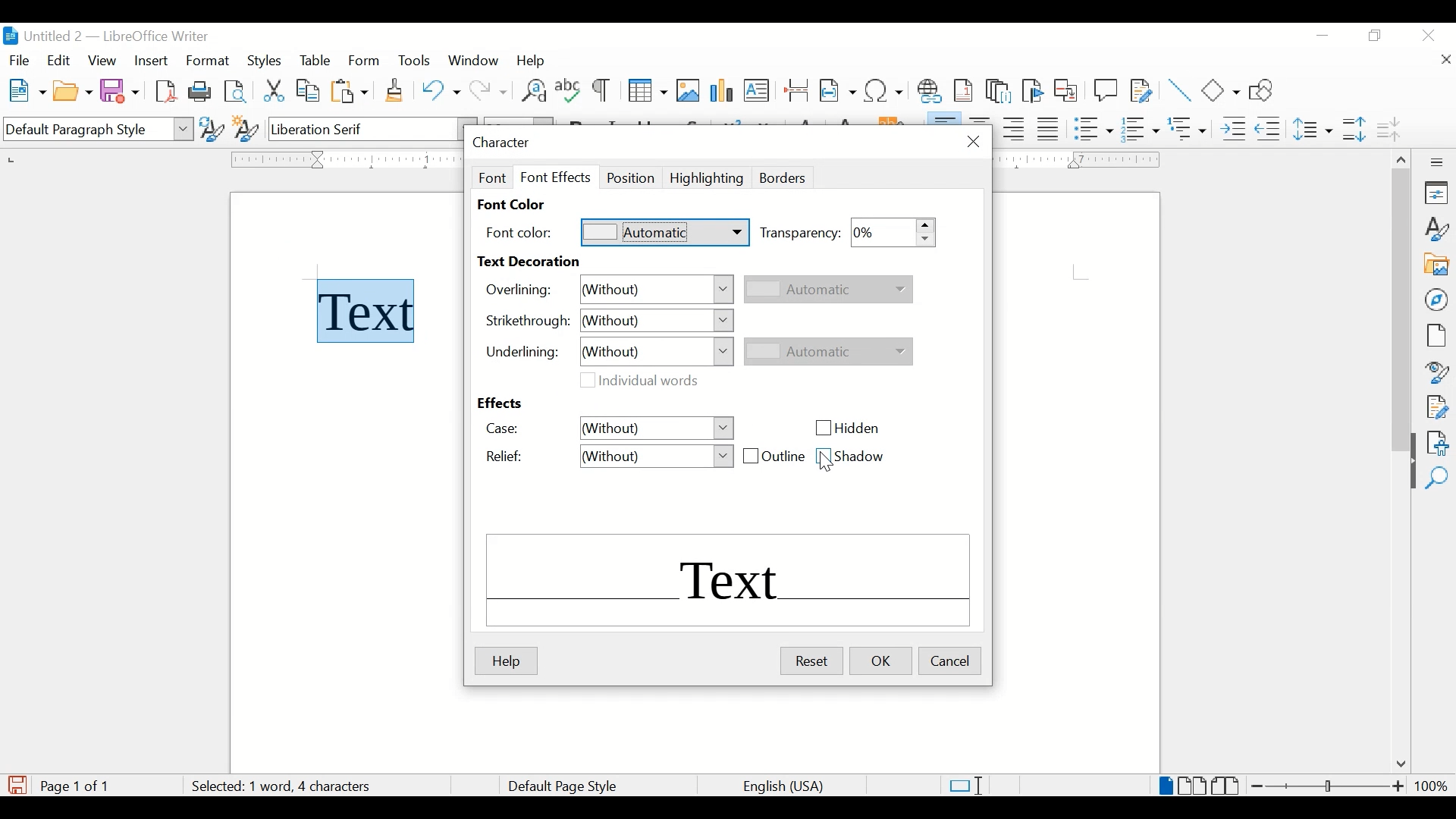 Image resolution: width=1456 pixels, height=819 pixels. I want to click on single page view, so click(1166, 786).